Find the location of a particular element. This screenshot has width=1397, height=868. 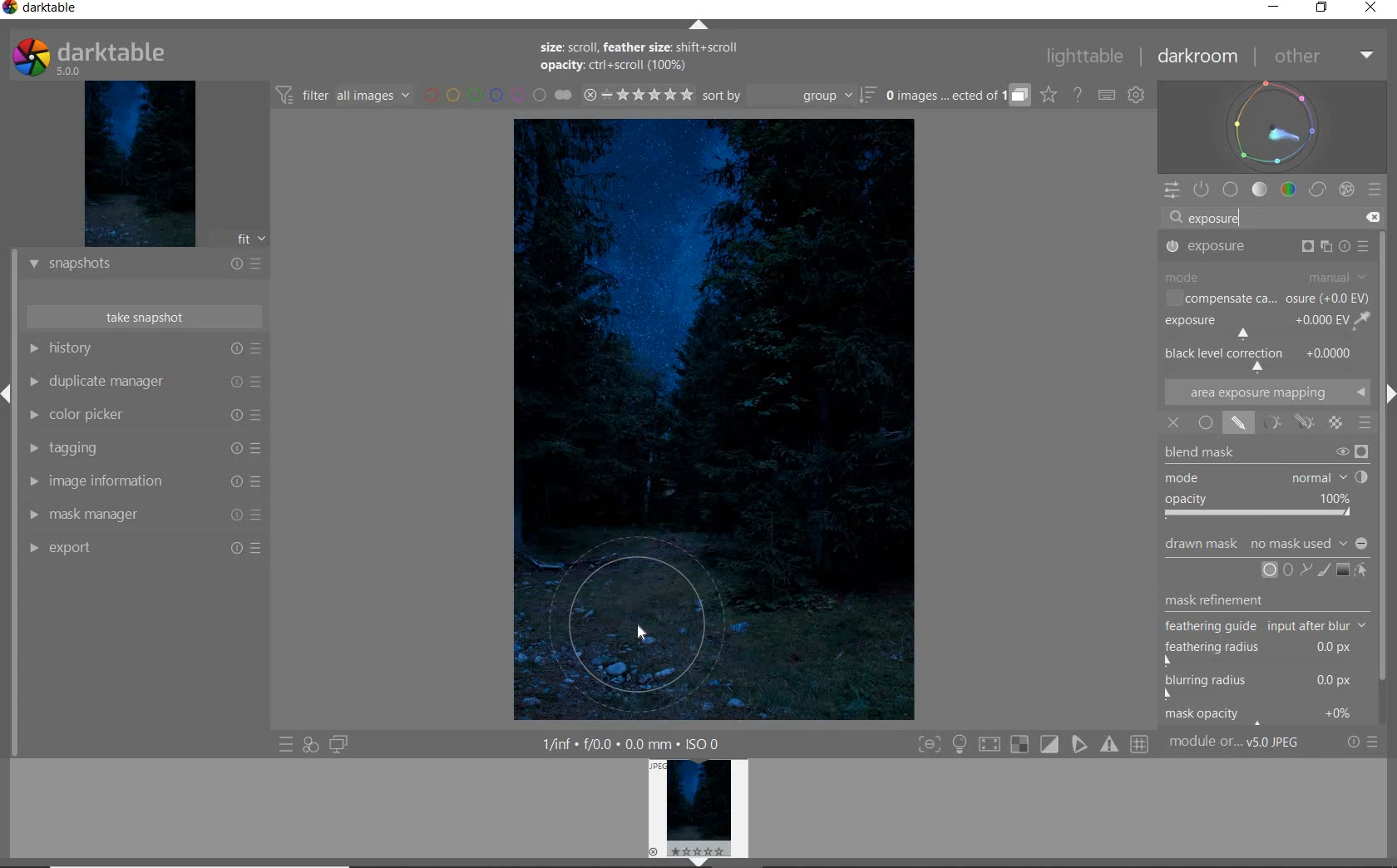

ADD GRADIENT is located at coordinates (1344, 570).